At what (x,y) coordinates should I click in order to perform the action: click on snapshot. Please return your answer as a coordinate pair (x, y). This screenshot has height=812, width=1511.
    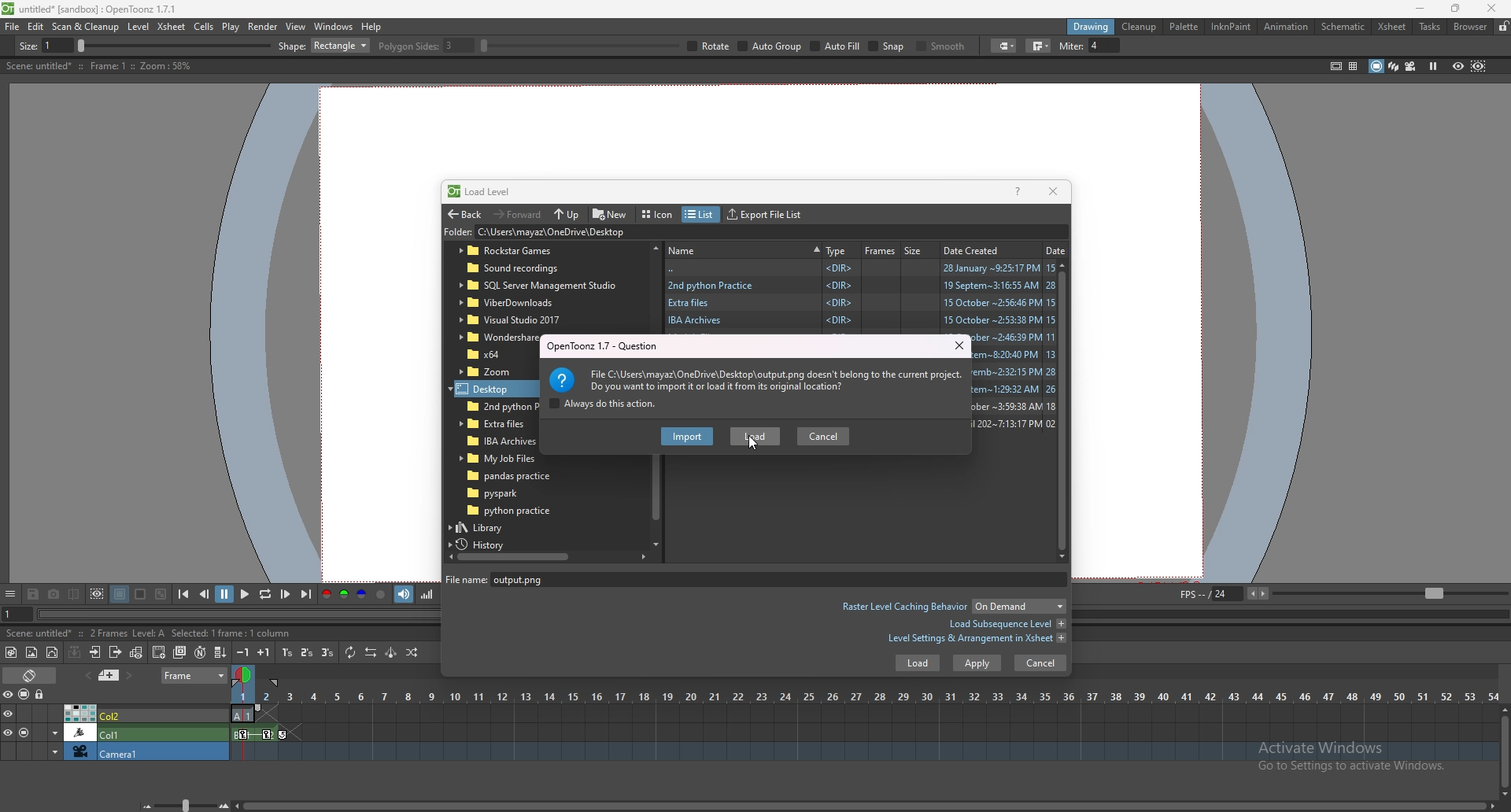
    Looking at the image, I should click on (54, 595).